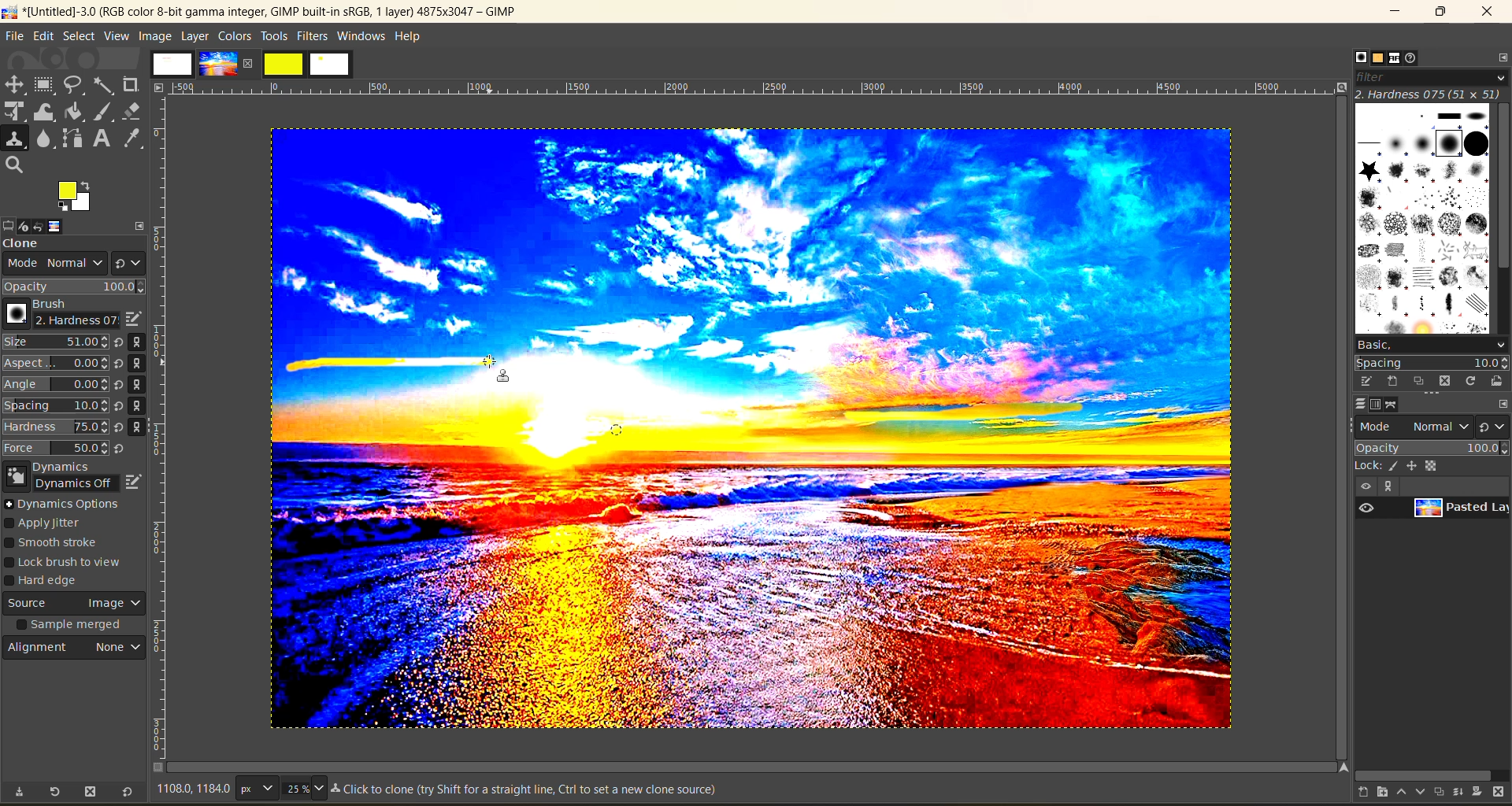 This screenshot has height=806, width=1512. I want to click on layer, so click(195, 35).